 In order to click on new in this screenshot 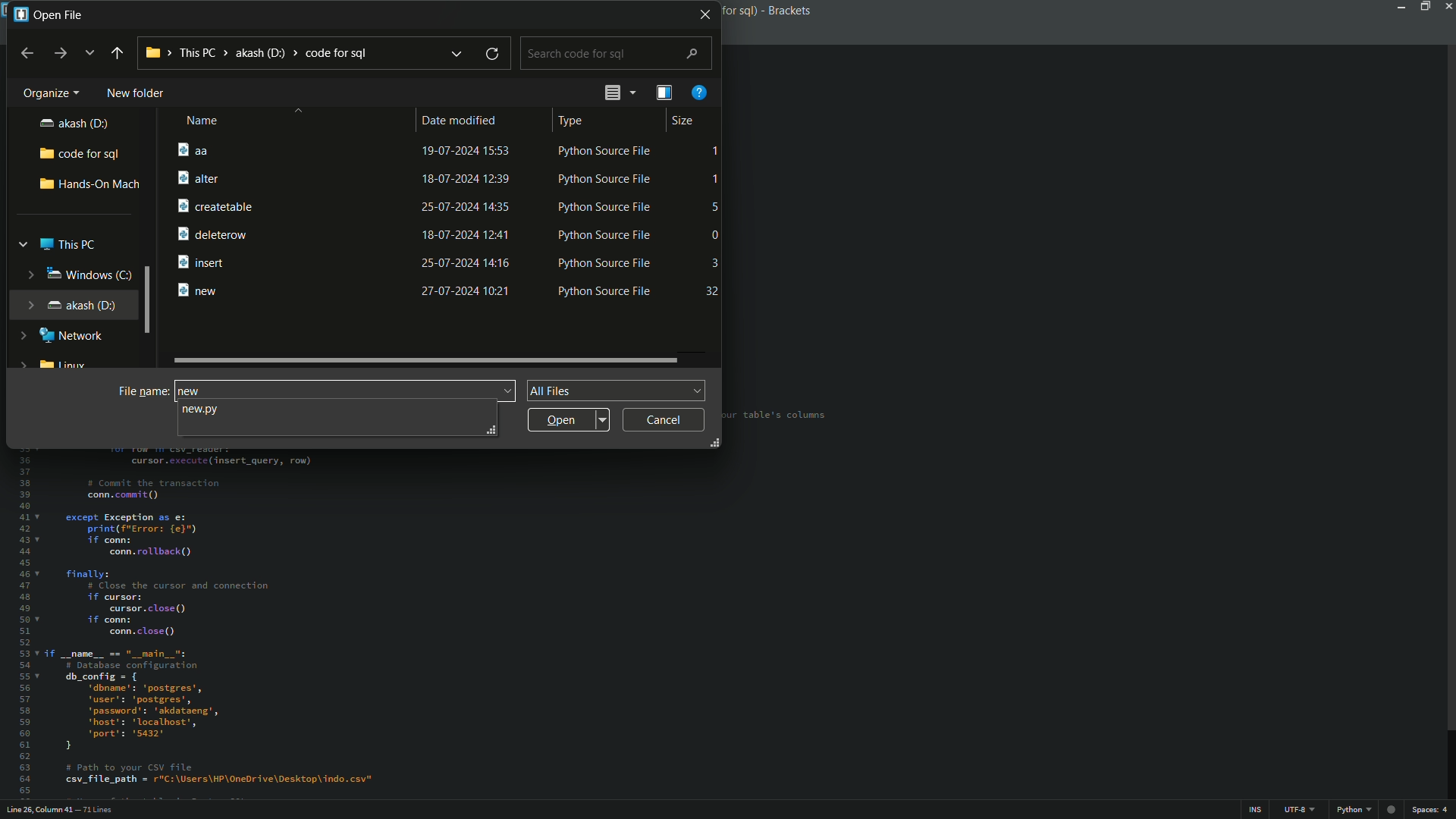, I will do `click(190, 391)`.